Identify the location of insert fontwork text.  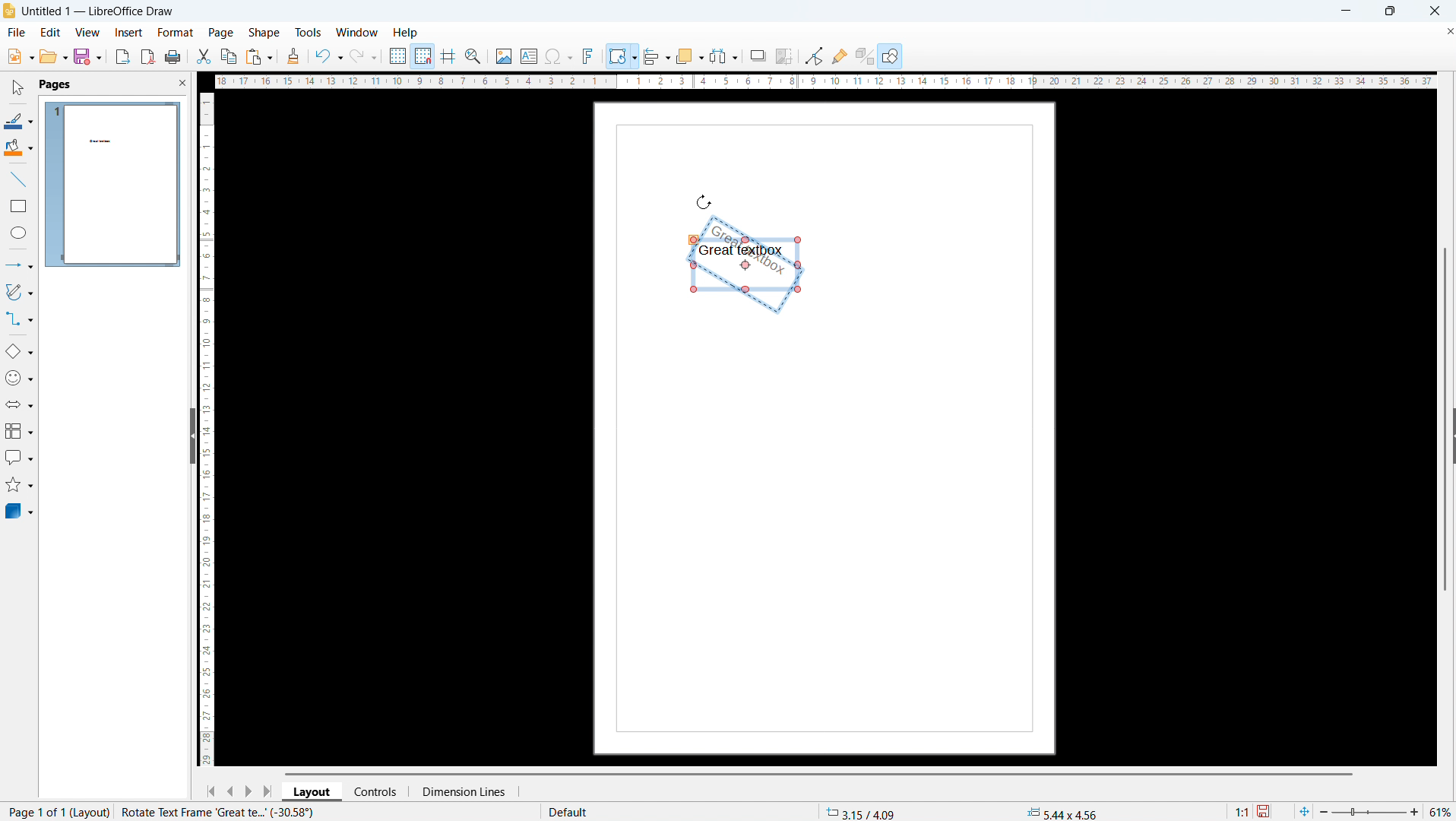
(589, 55).